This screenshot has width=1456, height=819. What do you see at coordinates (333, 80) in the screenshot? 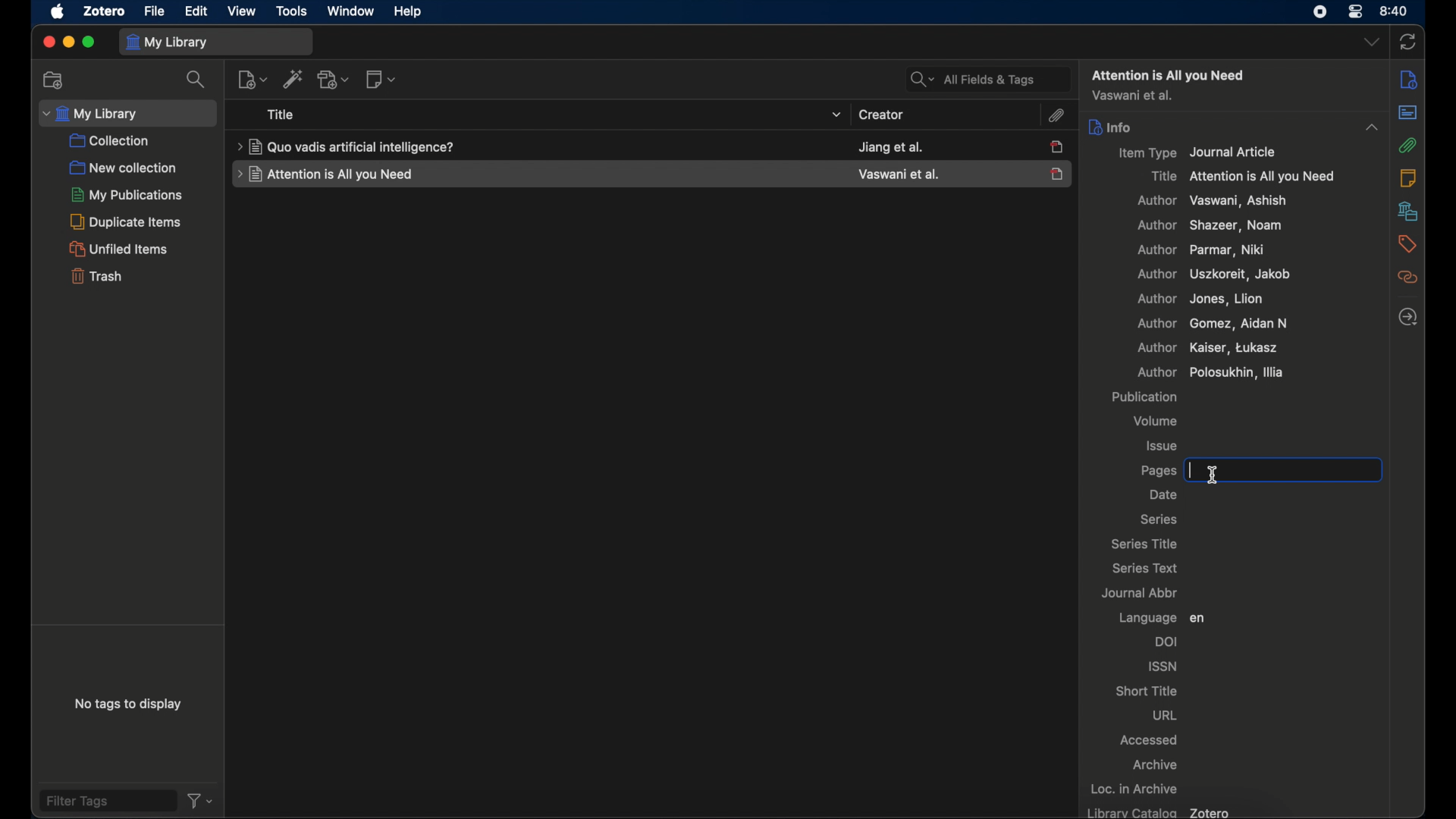
I see `add attachment` at bounding box center [333, 80].